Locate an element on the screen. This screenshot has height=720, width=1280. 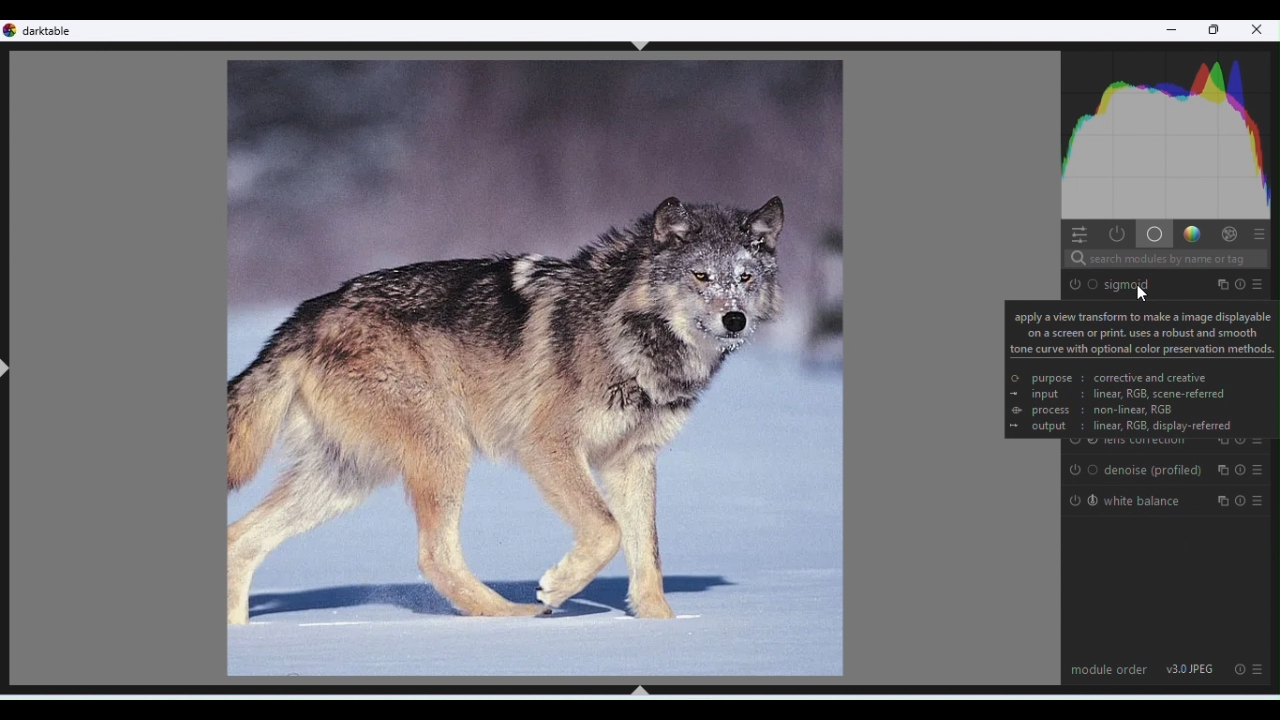
Base is located at coordinates (1153, 233).